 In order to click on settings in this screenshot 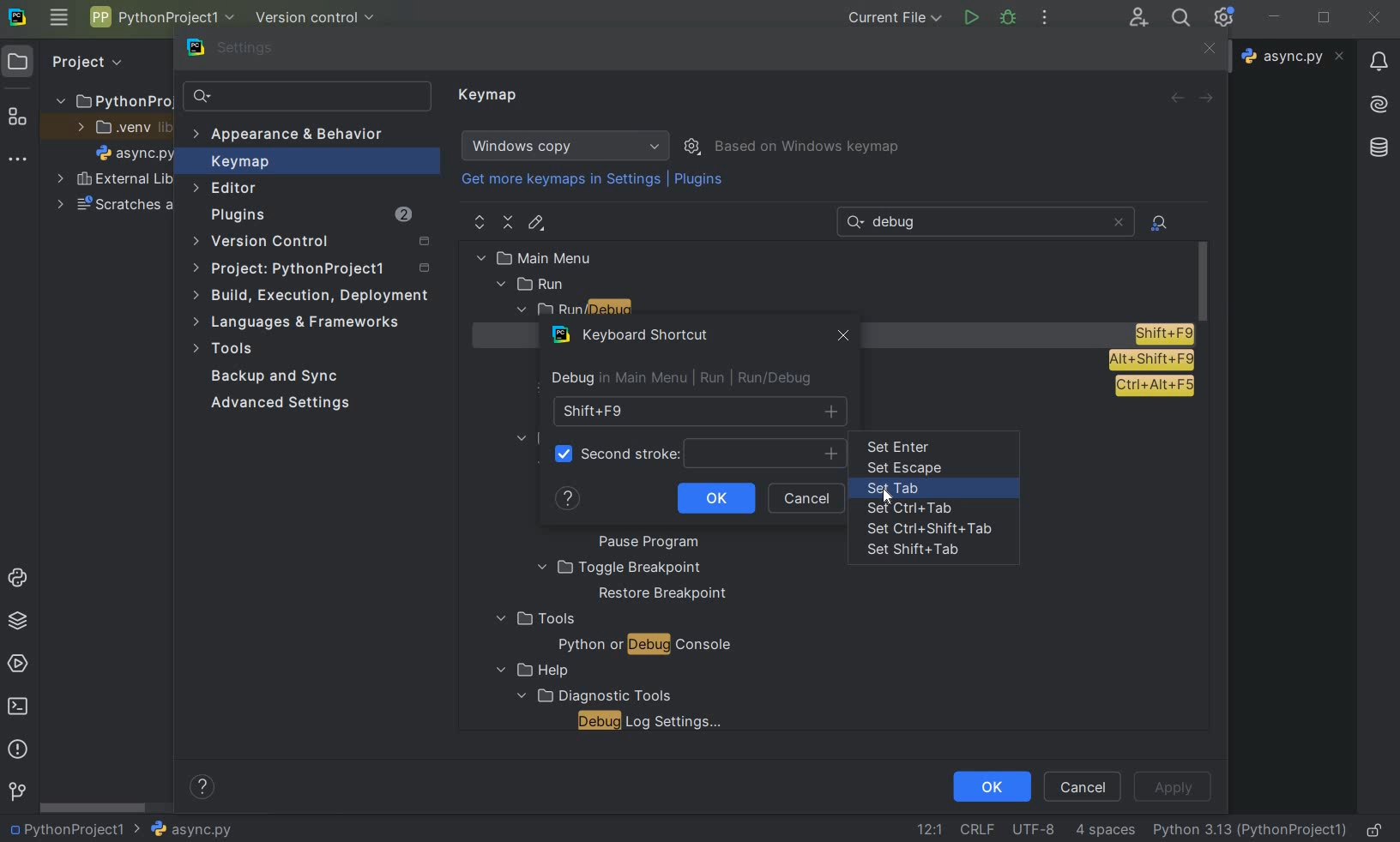, I will do `click(241, 51)`.